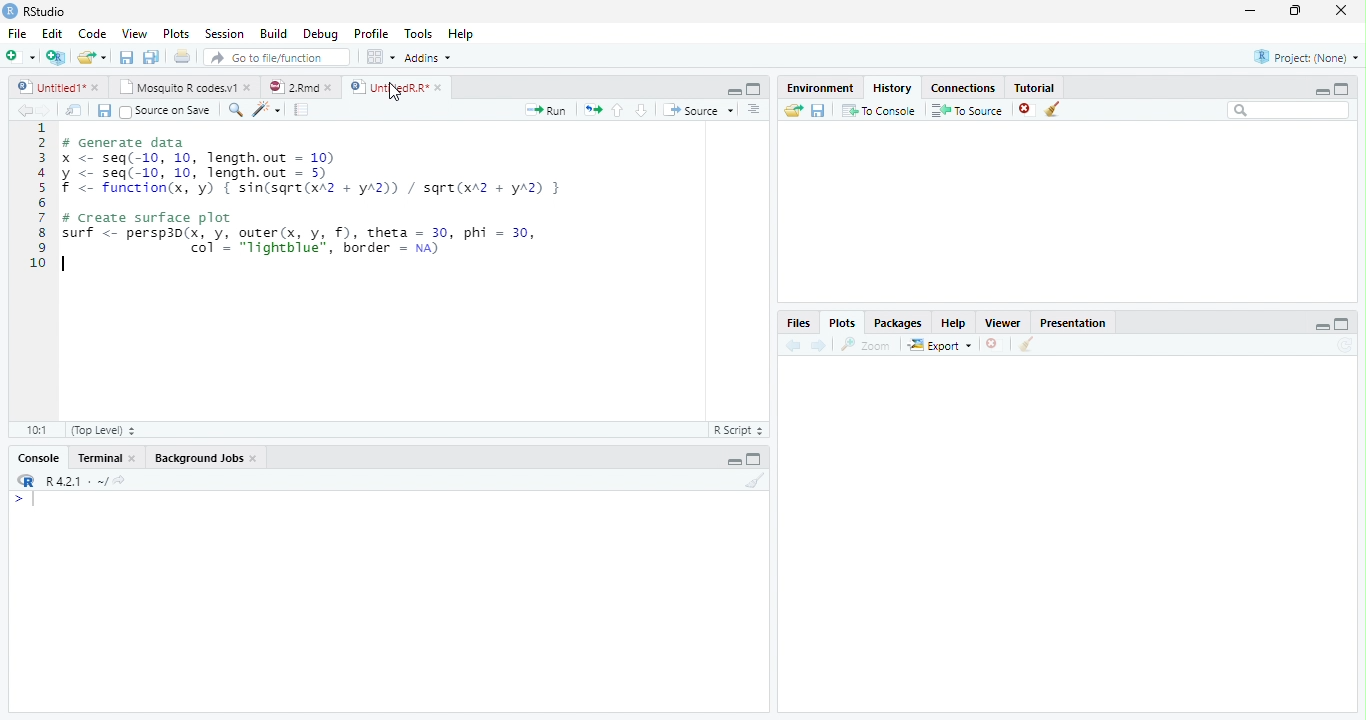  What do you see at coordinates (104, 57) in the screenshot?
I see `Open recent files` at bounding box center [104, 57].